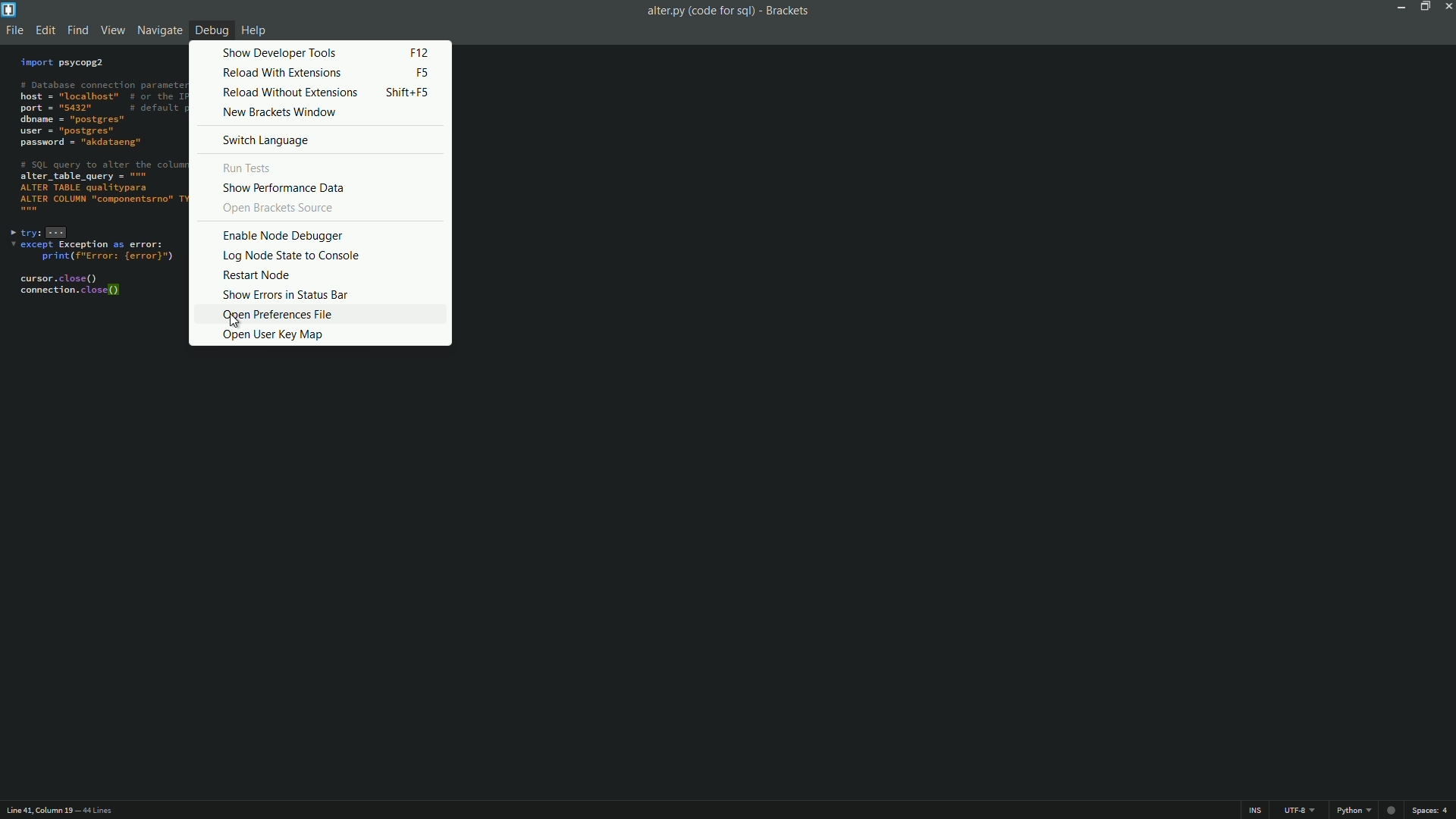  Describe the element at coordinates (236, 320) in the screenshot. I see `Cursor` at that location.